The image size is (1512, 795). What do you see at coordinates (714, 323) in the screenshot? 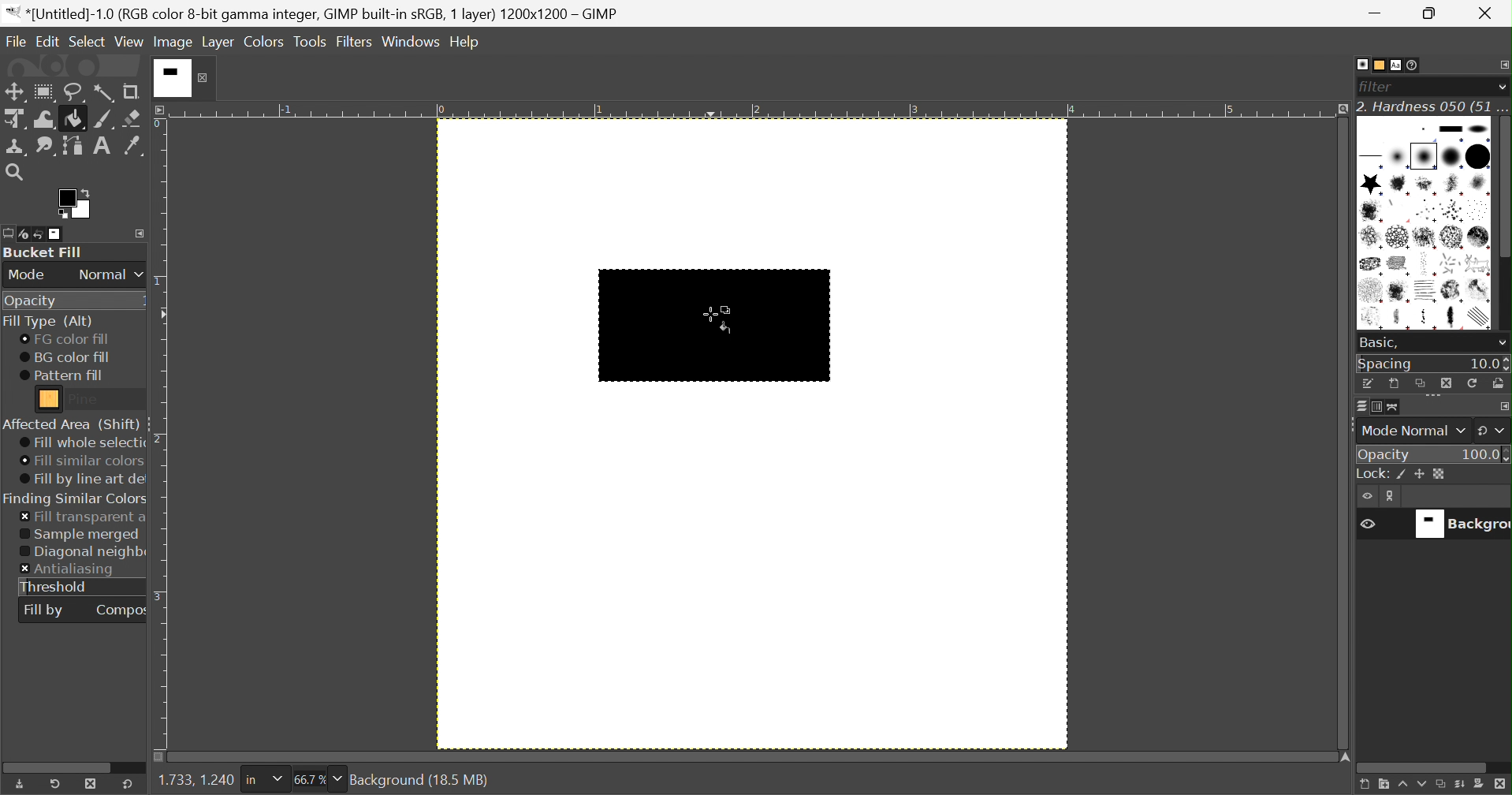
I see `Black color` at bounding box center [714, 323].